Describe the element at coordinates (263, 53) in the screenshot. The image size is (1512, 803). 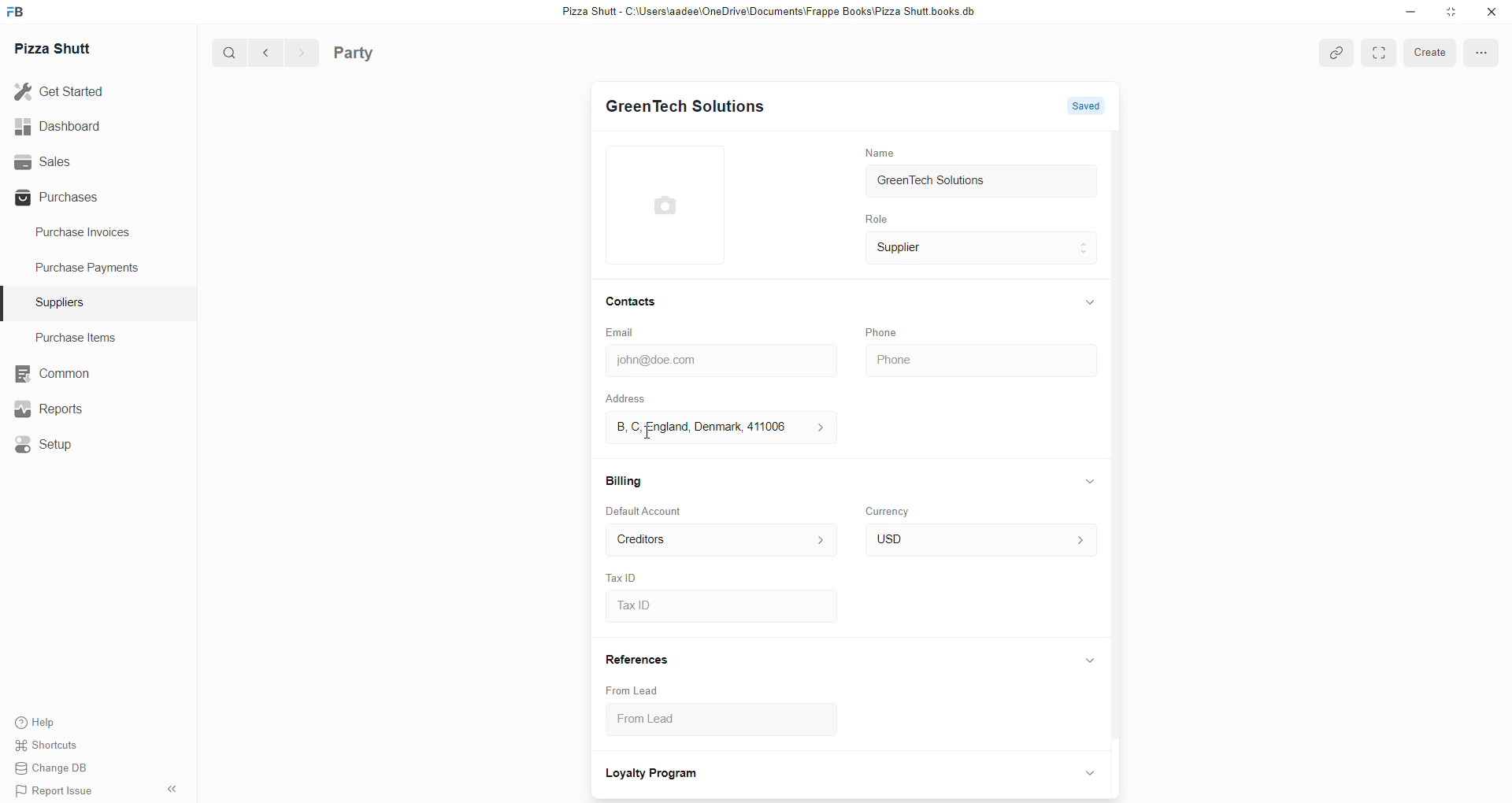
I see `previous page` at that location.